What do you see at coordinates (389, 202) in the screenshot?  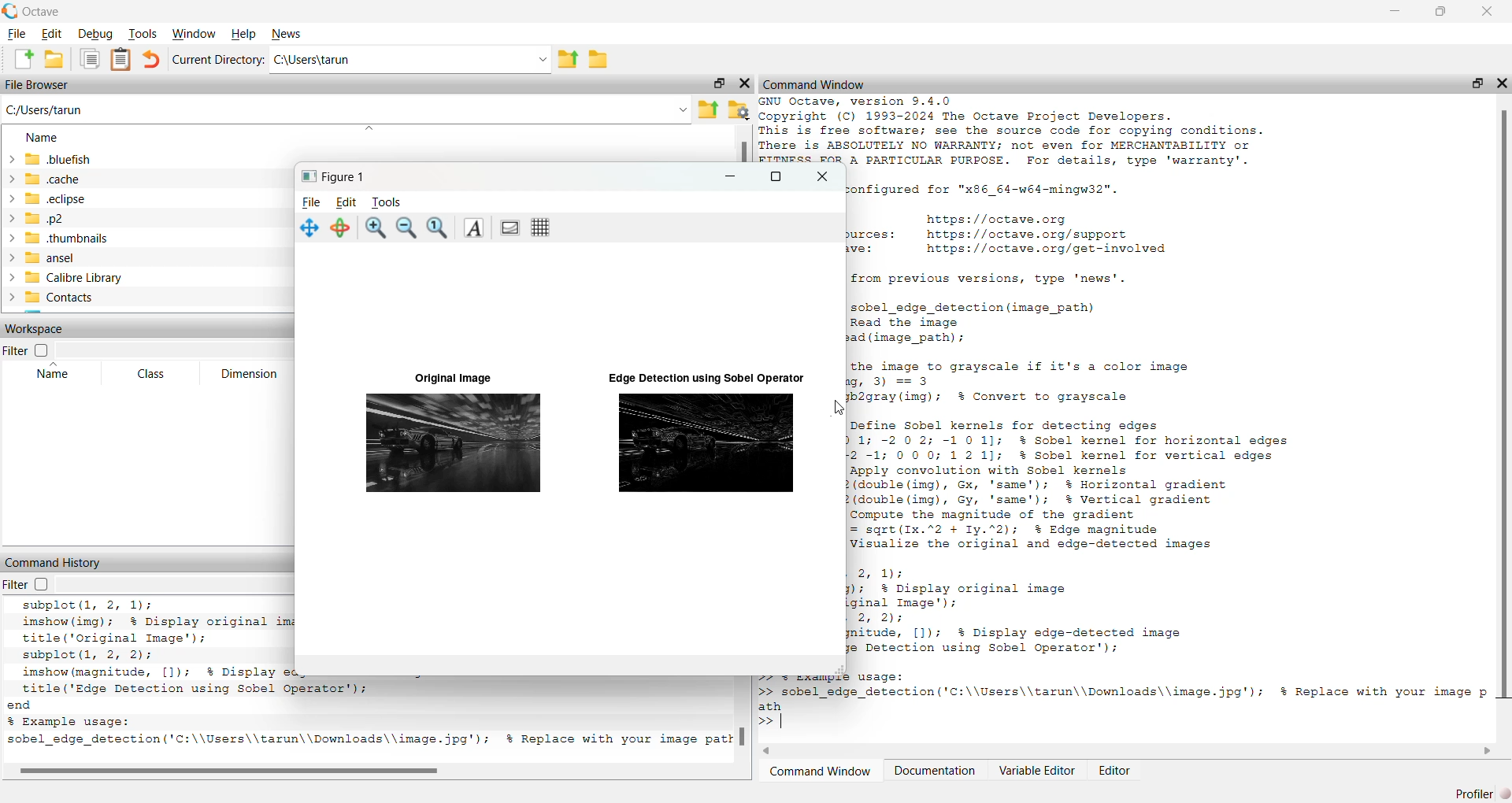 I see `tools` at bounding box center [389, 202].